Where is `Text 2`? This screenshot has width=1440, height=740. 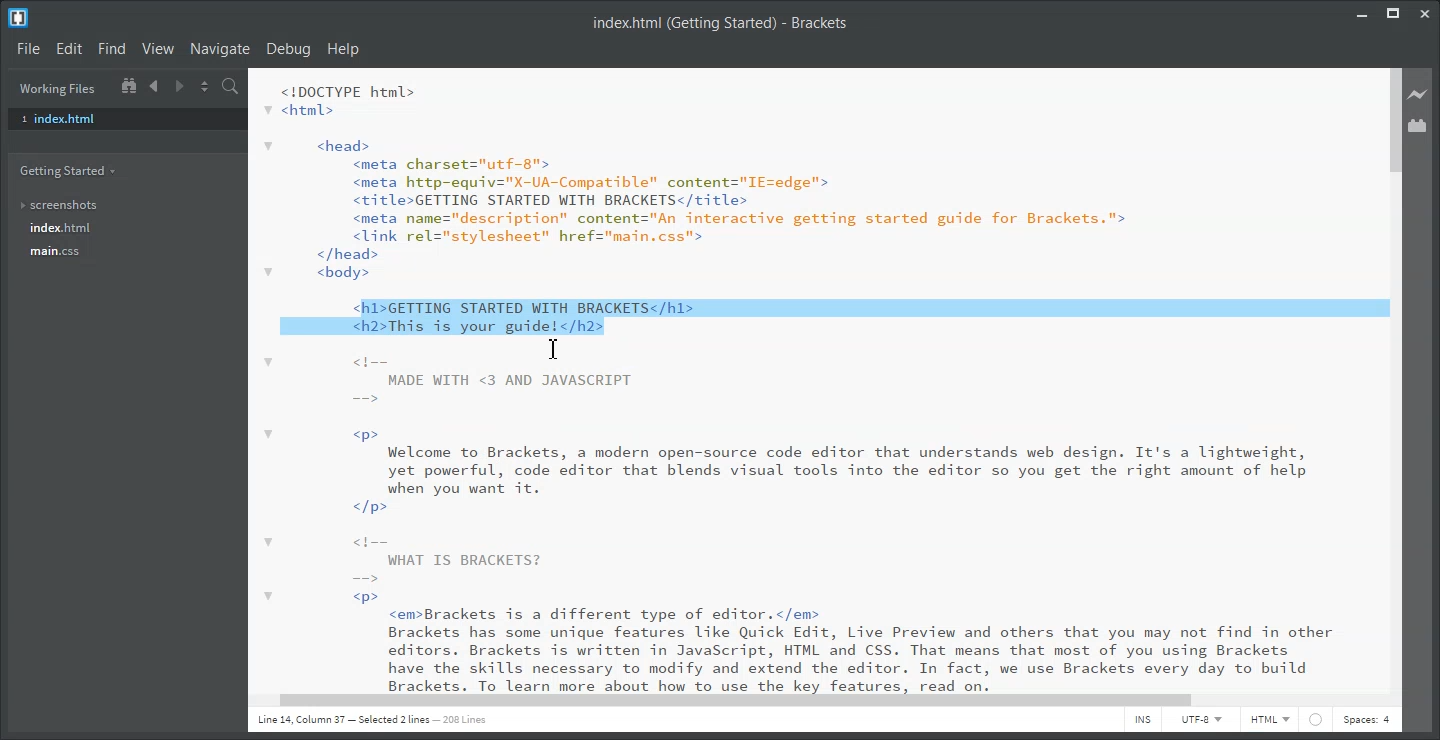 Text 2 is located at coordinates (798, 177).